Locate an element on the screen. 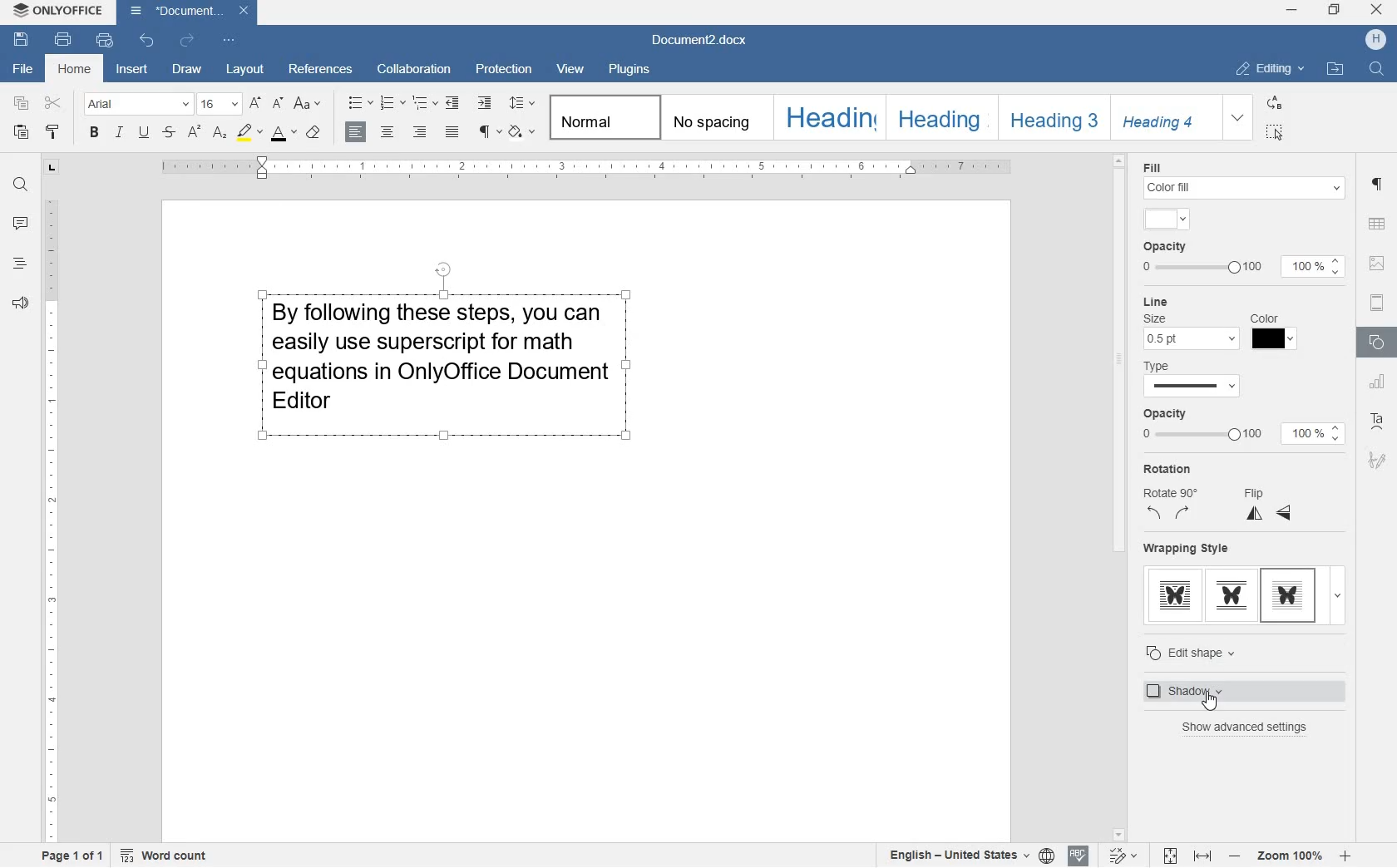 This screenshot has height=868, width=1397. rotation is located at coordinates (1168, 493).